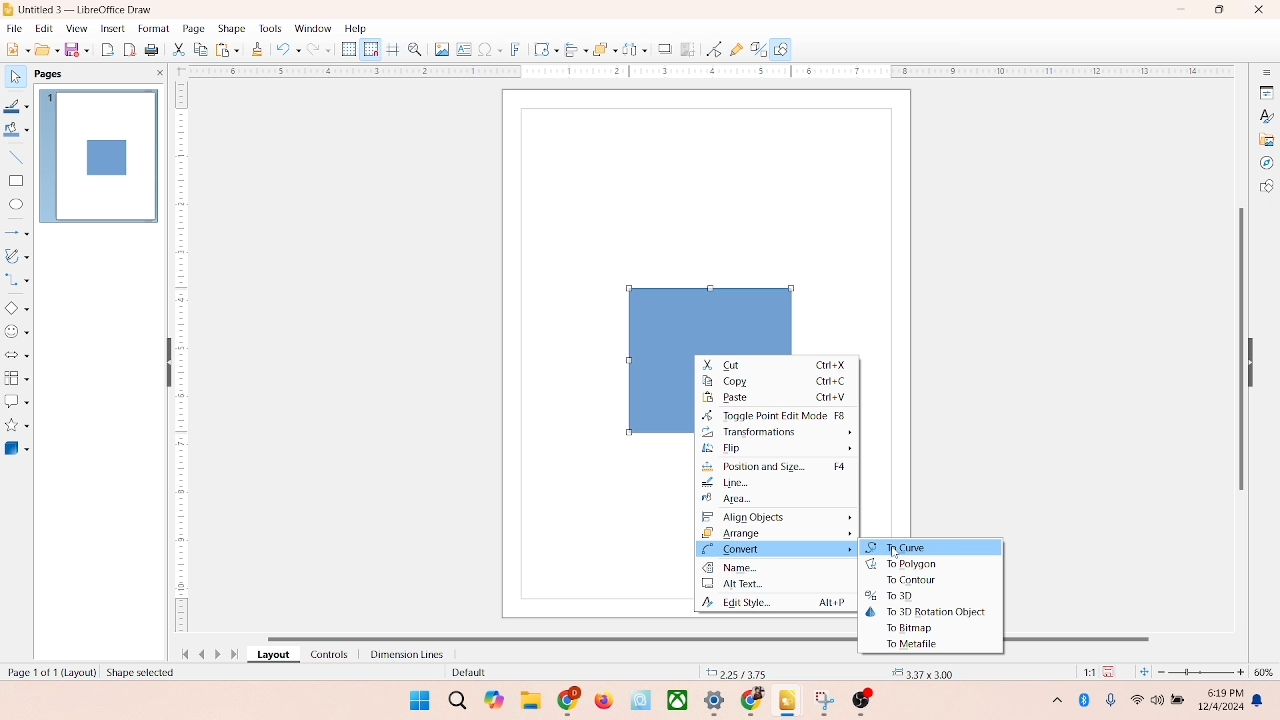  I want to click on close, so click(1254, 11).